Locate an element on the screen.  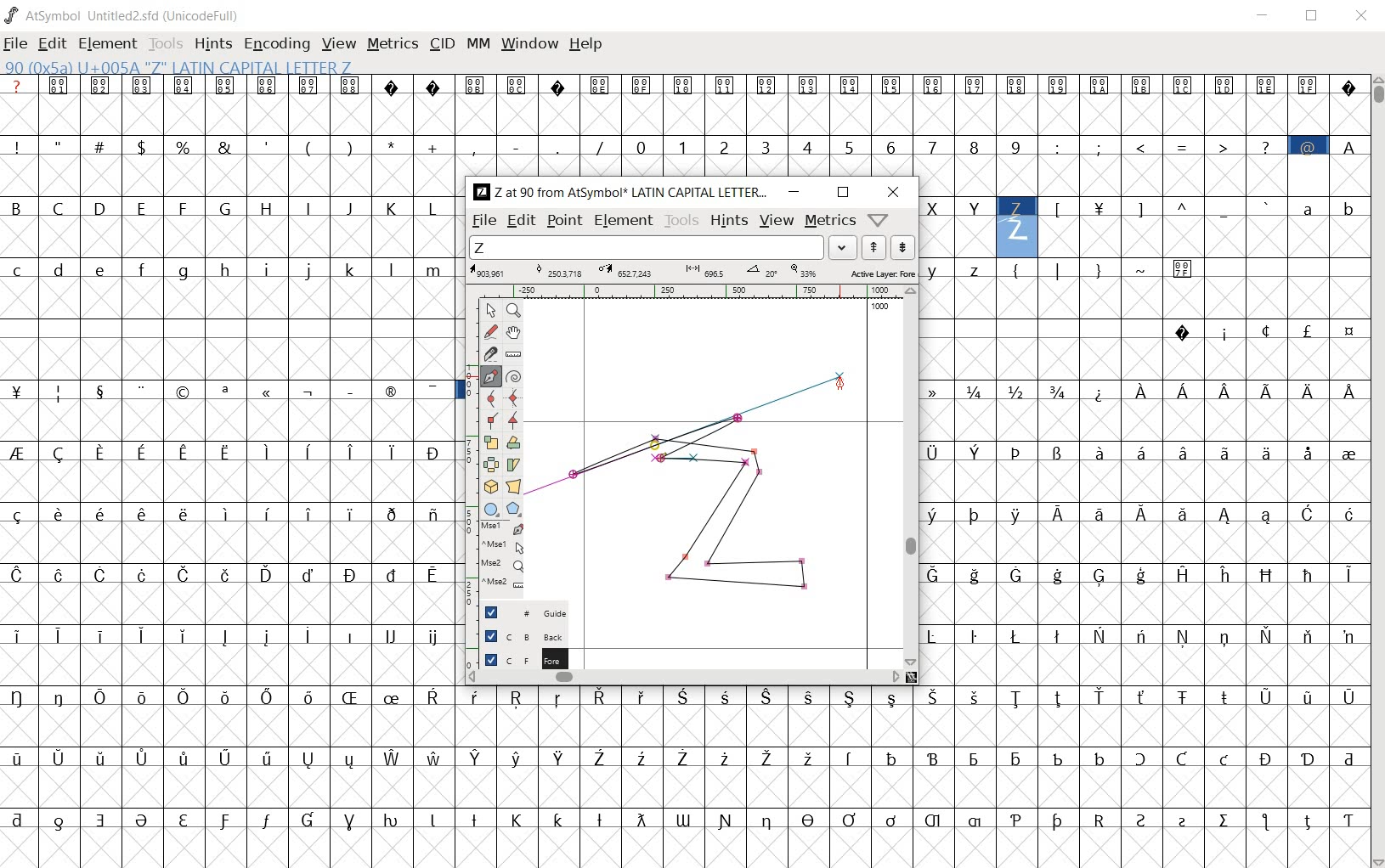
Foreground is located at coordinates (518, 658).